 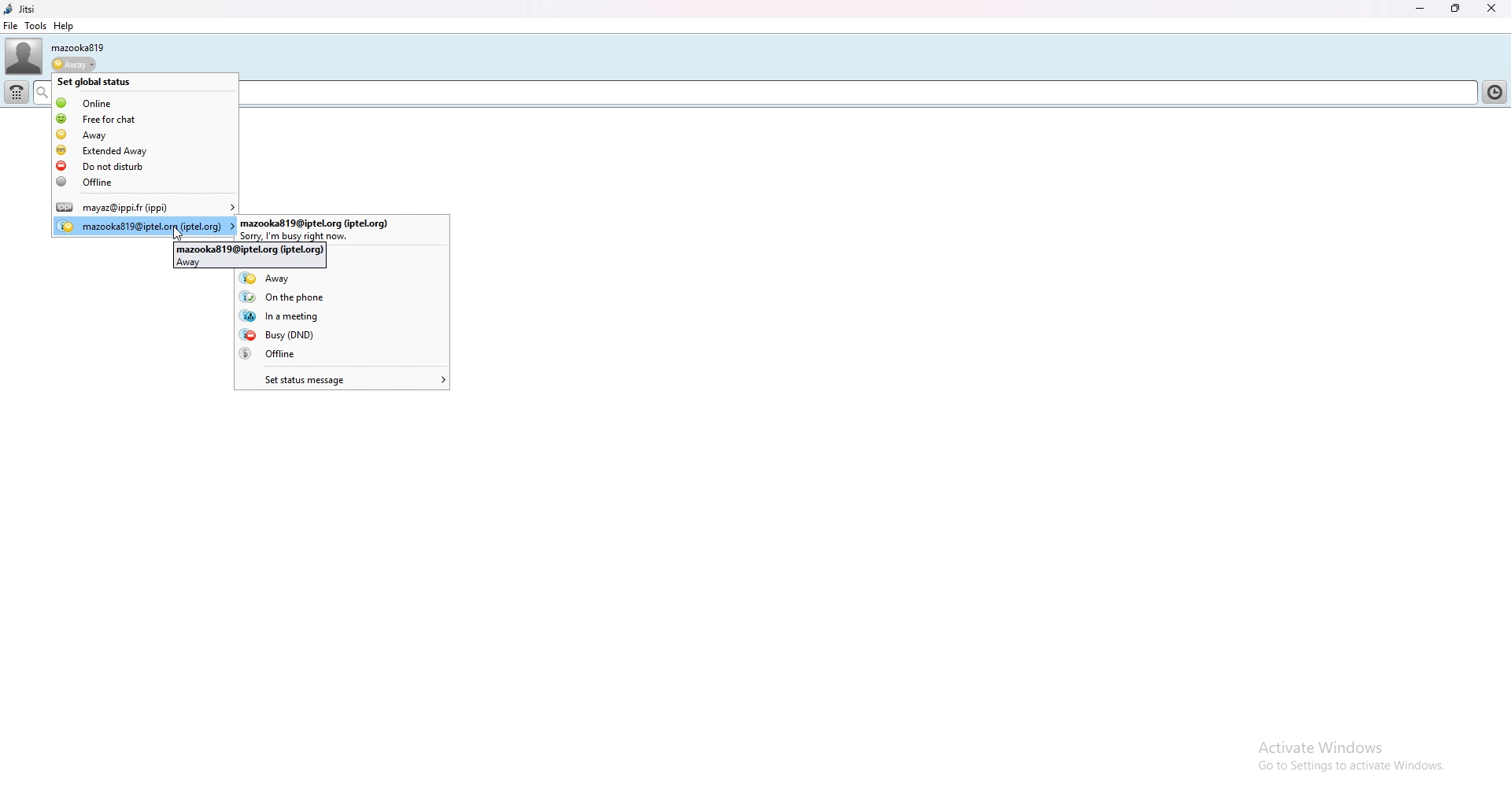 I want to click on jitsi, so click(x=20, y=9).